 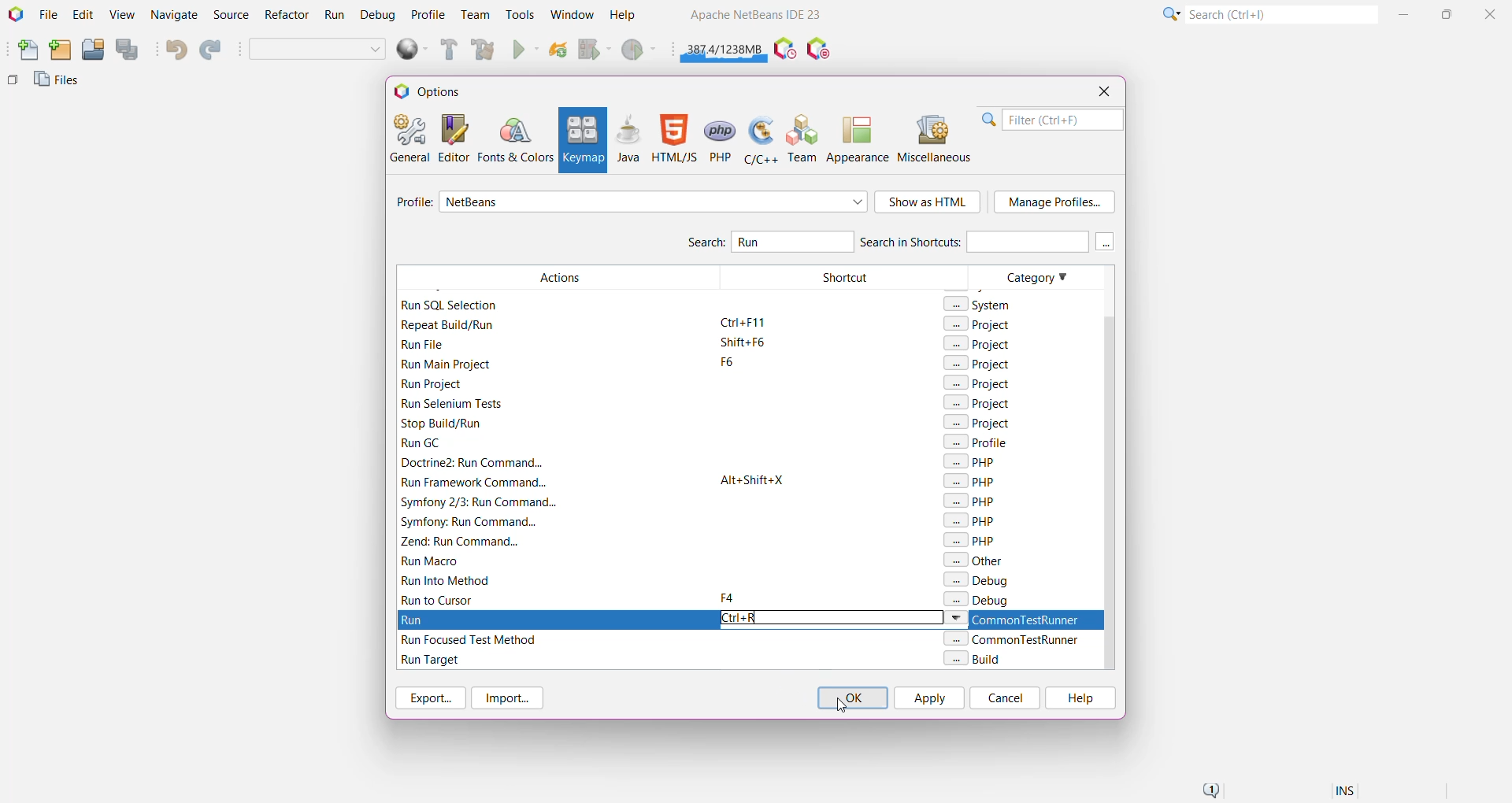 I want to click on Search, so click(x=1280, y=13).